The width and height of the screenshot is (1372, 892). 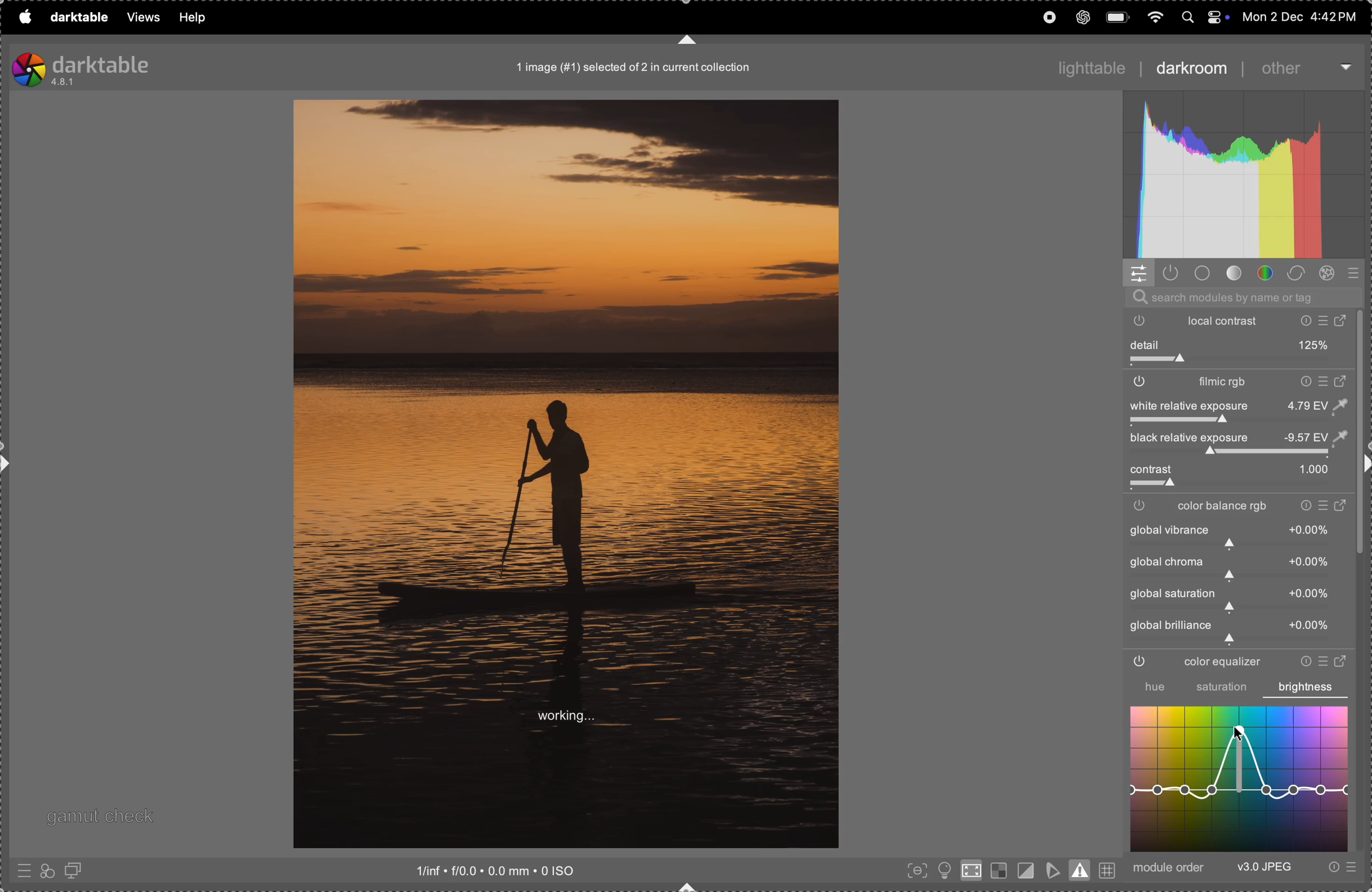 What do you see at coordinates (193, 17) in the screenshot?
I see `help` at bounding box center [193, 17].